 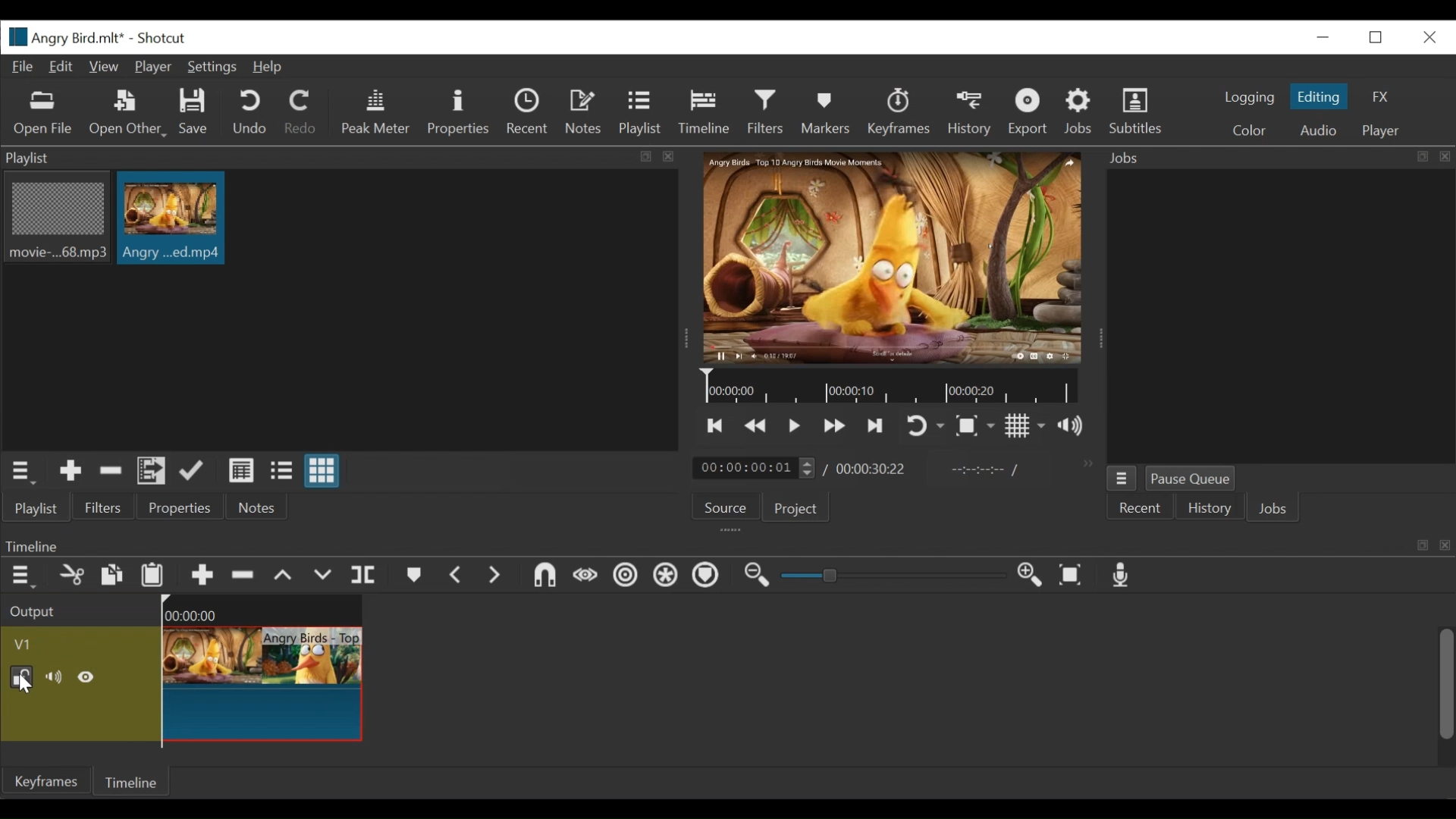 What do you see at coordinates (797, 509) in the screenshot?
I see `Project` at bounding box center [797, 509].